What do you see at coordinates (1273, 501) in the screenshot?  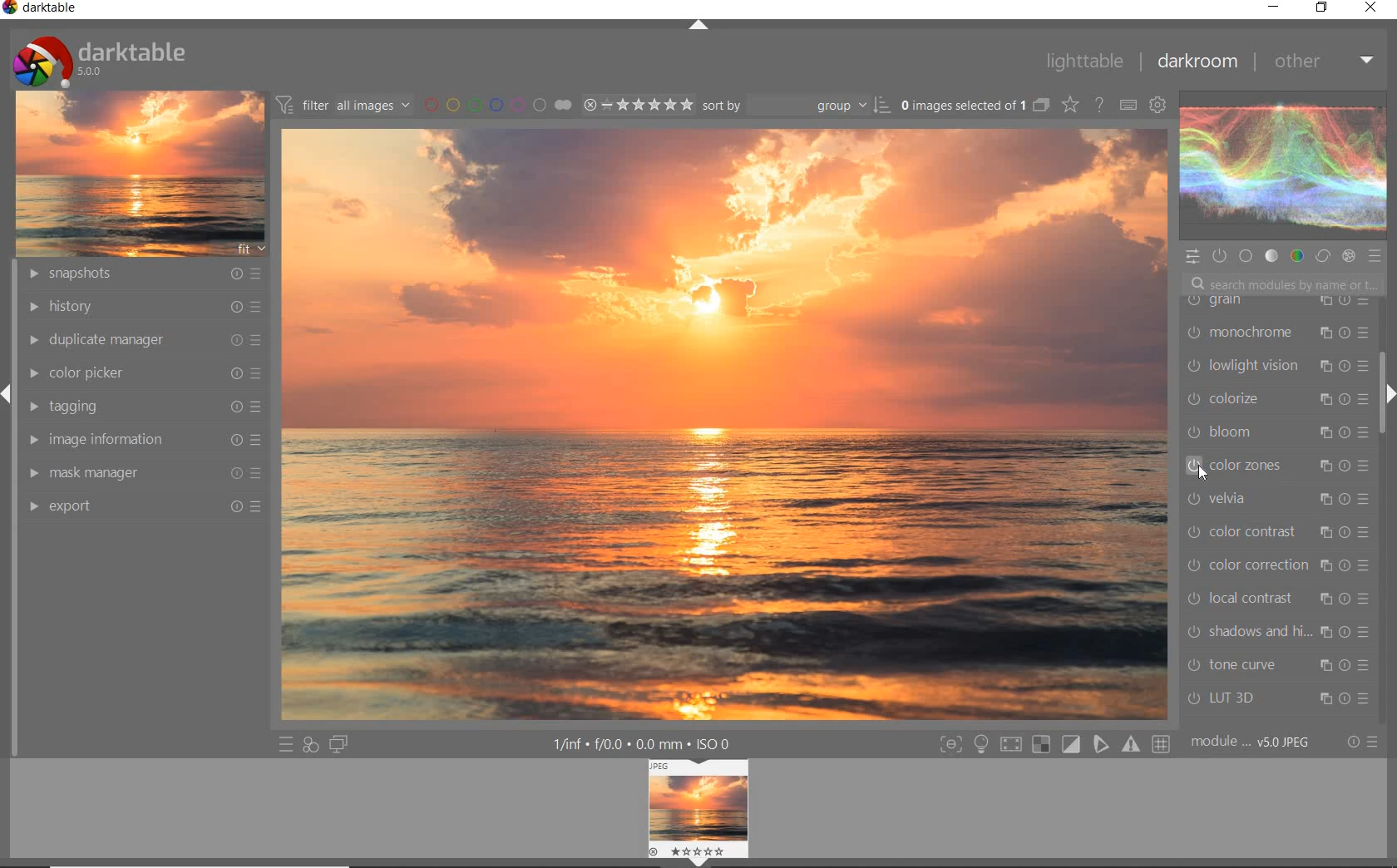 I see `velvia` at bounding box center [1273, 501].